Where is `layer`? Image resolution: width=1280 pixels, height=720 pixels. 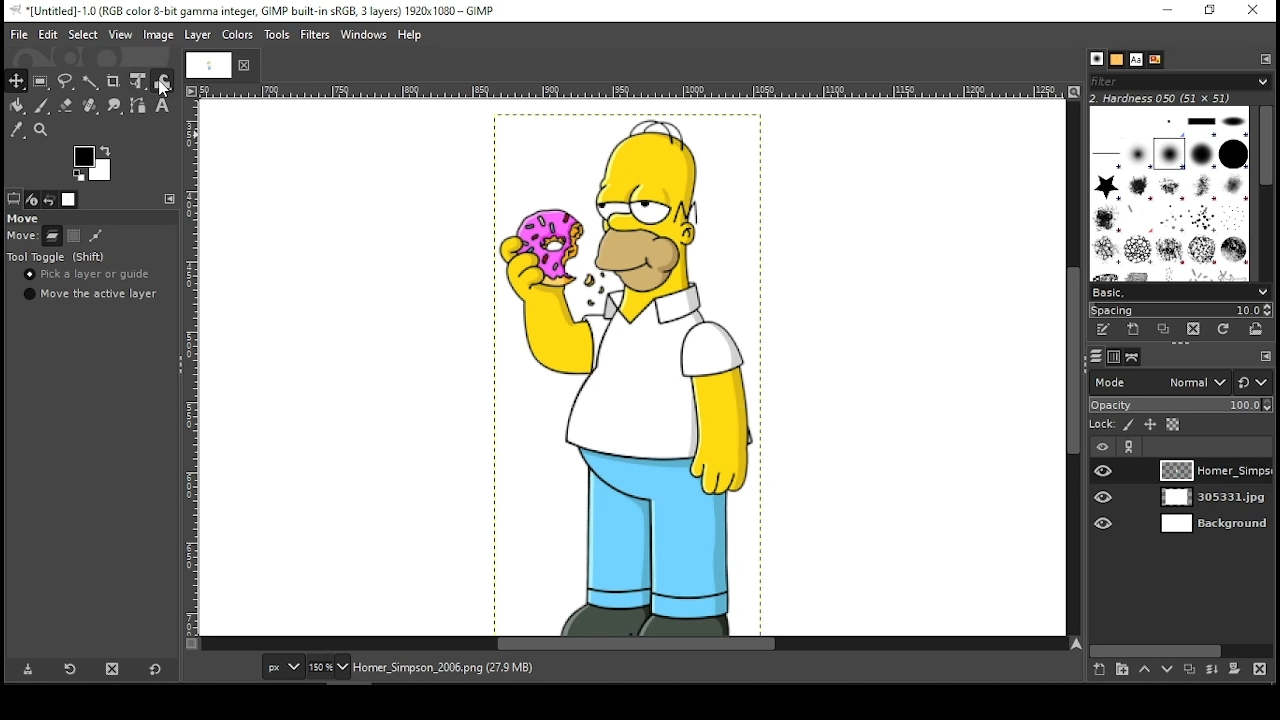 layer is located at coordinates (53, 235).